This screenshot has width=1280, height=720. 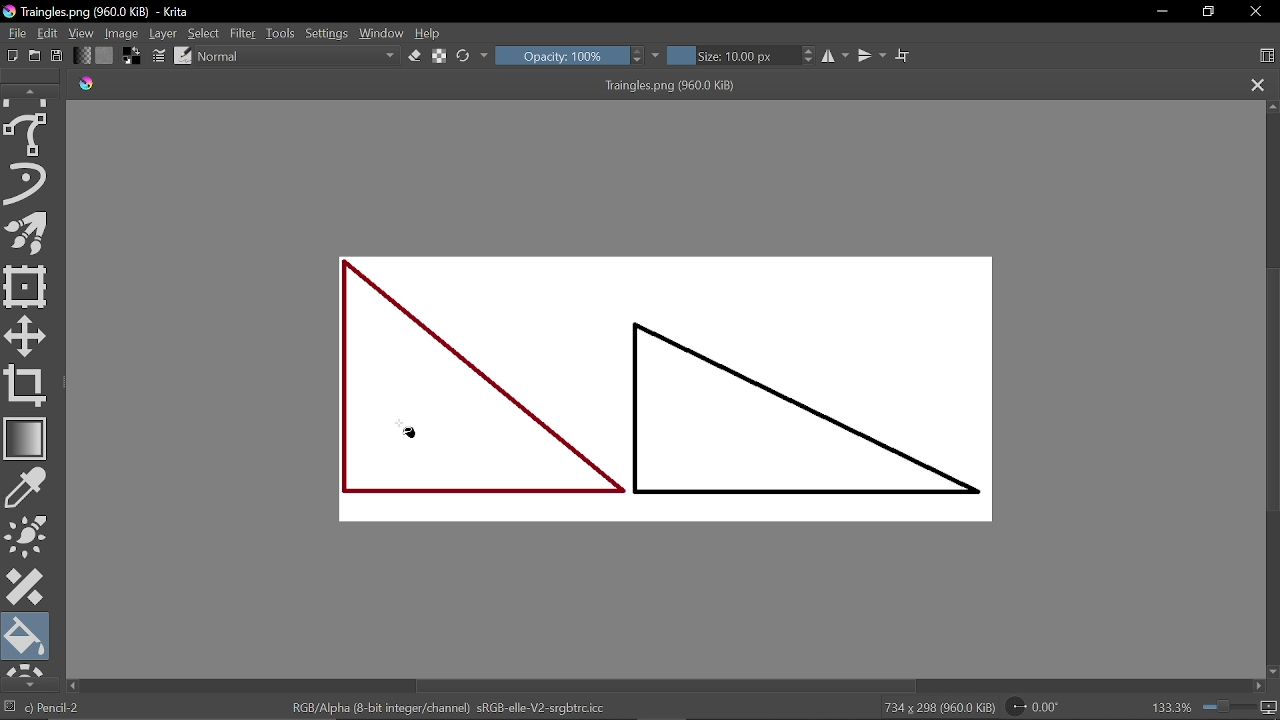 I want to click on Crop, so click(x=26, y=385).